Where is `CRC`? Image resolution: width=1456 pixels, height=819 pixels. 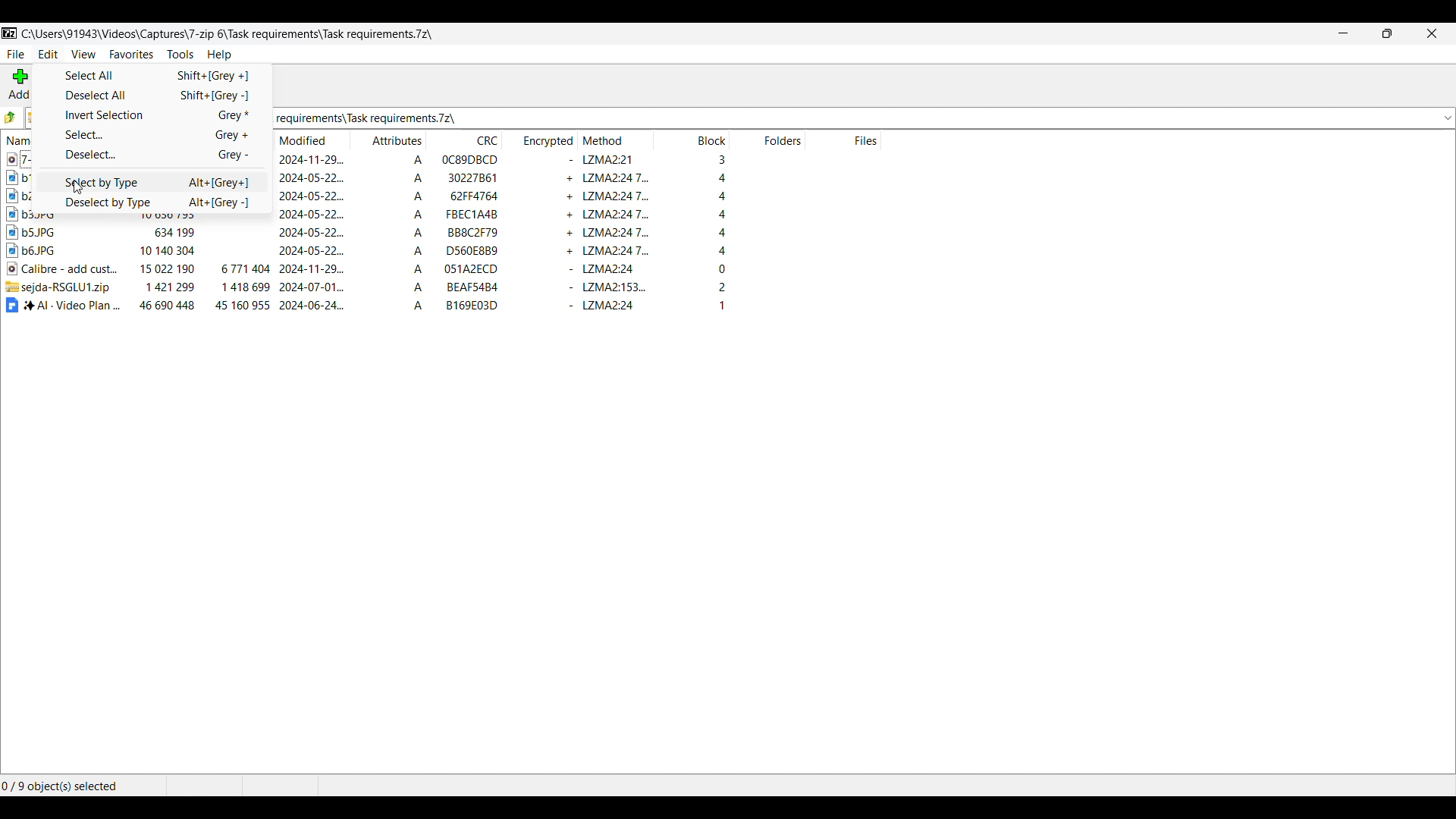
CRC is located at coordinates (465, 235).